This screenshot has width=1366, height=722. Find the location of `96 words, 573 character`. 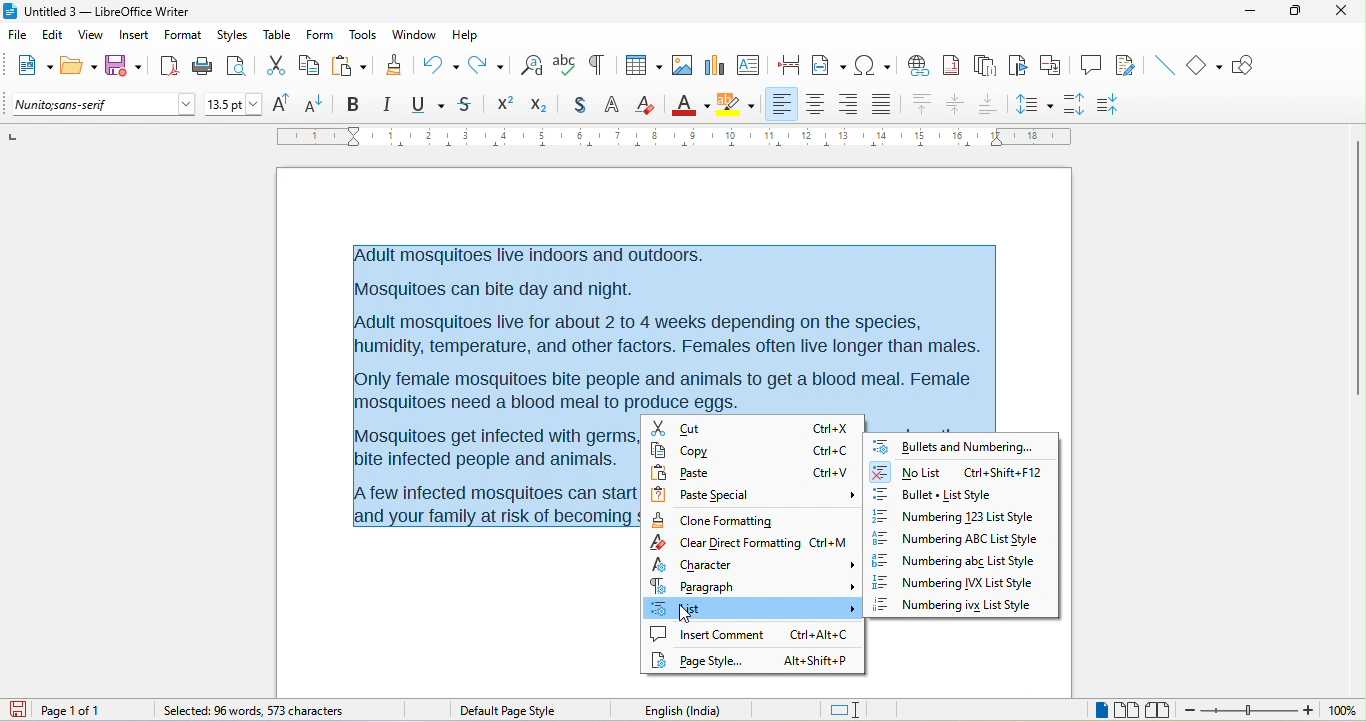

96 words, 573 character is located at coordinates (252, 712).